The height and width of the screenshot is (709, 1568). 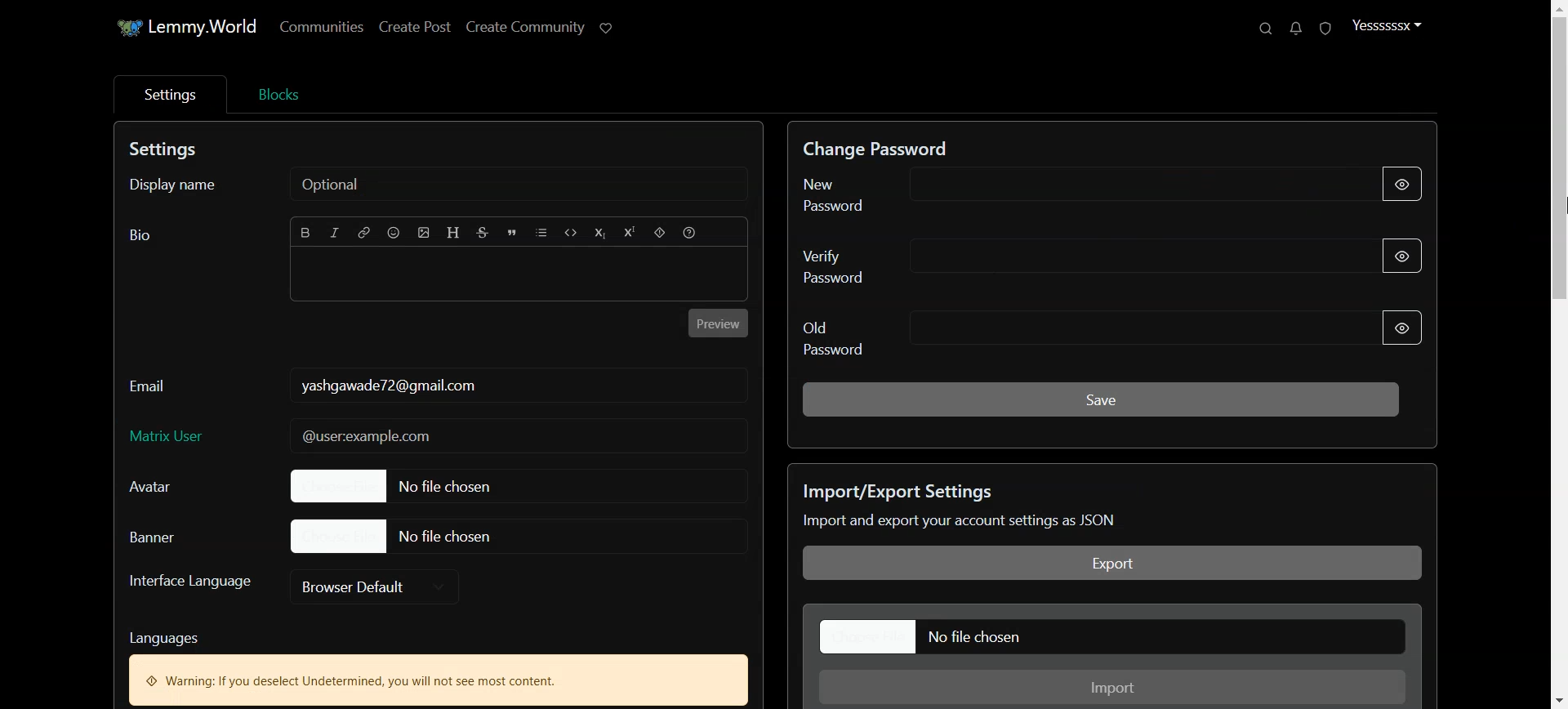 What do you see at coordinates (1557, 207) in the screenshot?
I see `cursor` at bounding box center [1557, 207].